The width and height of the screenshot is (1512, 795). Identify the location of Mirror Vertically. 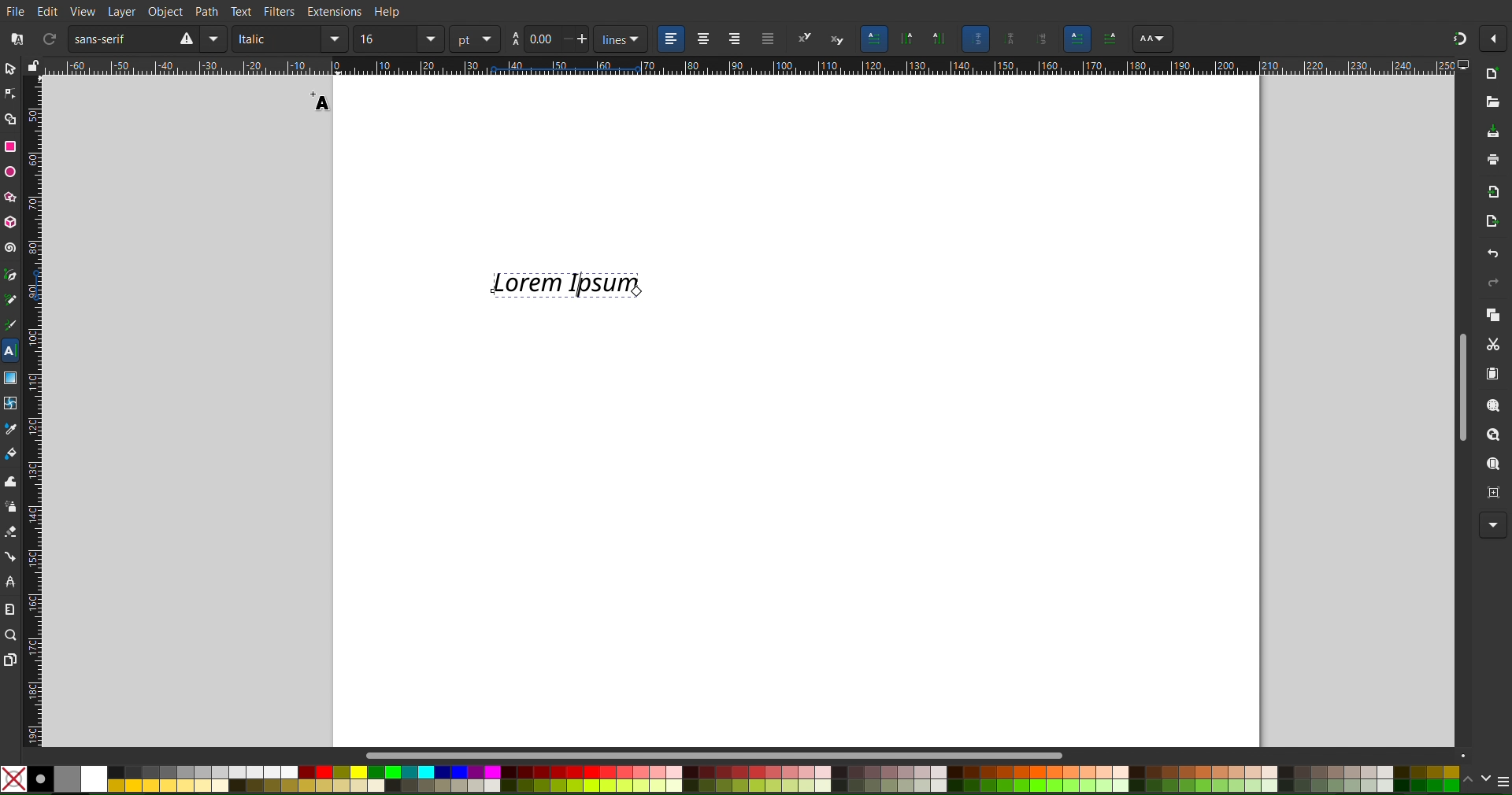
(217, 39).